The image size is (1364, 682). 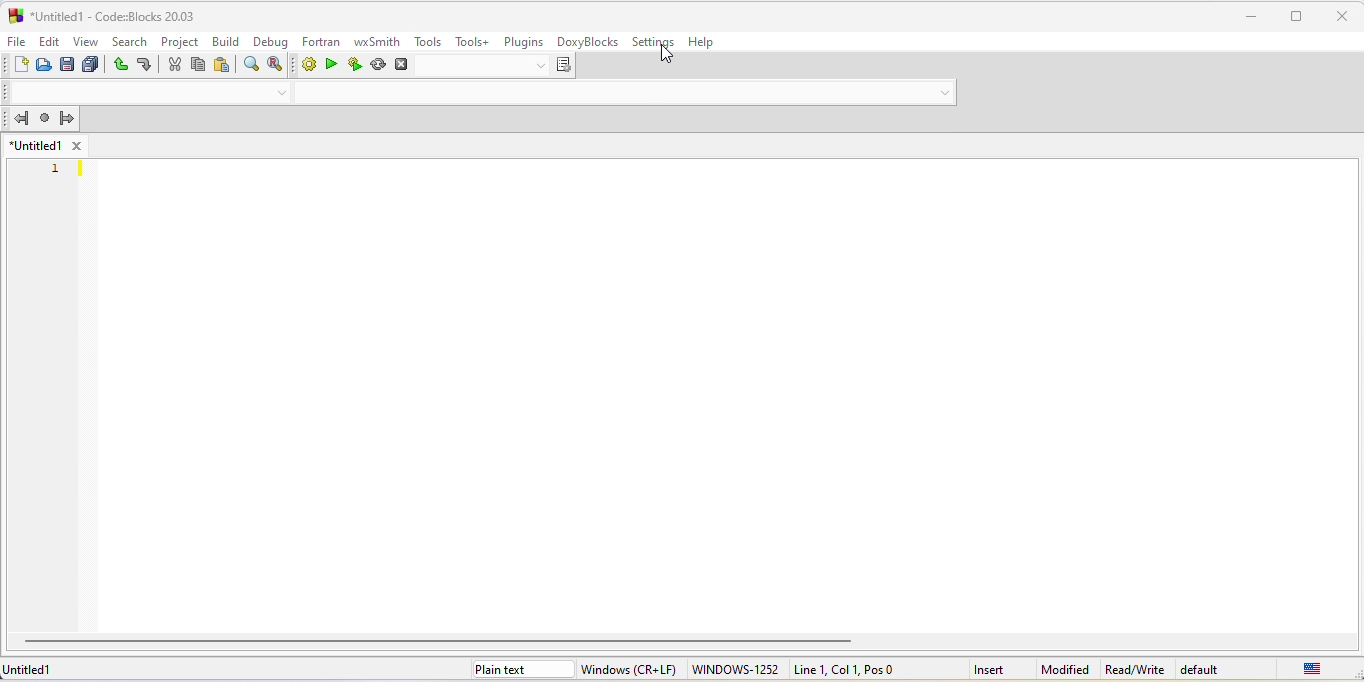 What do you see at coordinates (376, 41) in the screenshot?
I see `wxsmith` at bounding box center [376, 41].